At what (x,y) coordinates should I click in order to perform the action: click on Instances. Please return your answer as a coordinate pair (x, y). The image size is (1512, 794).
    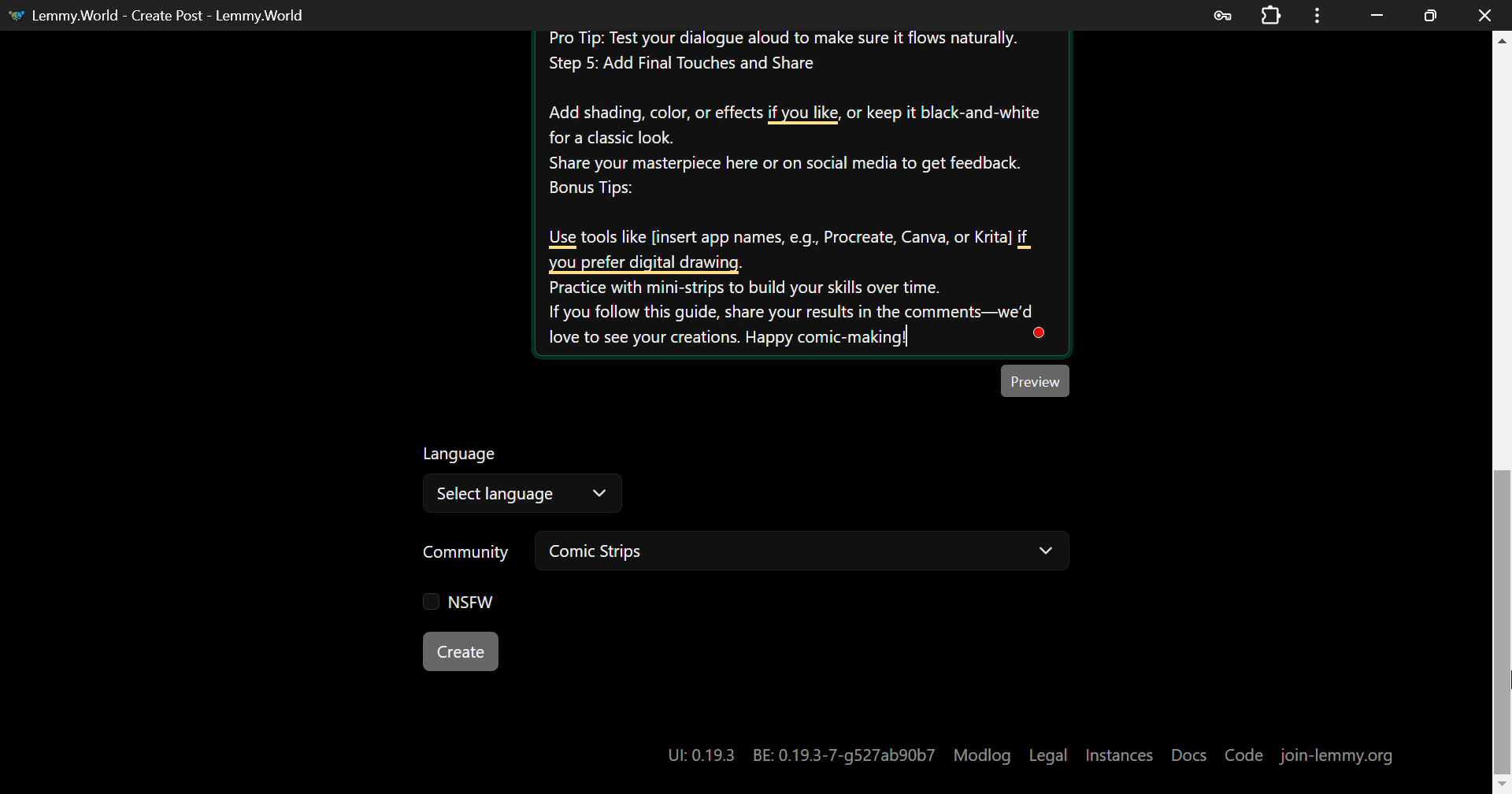
    Looking at the image, I should click on (1120, 755).